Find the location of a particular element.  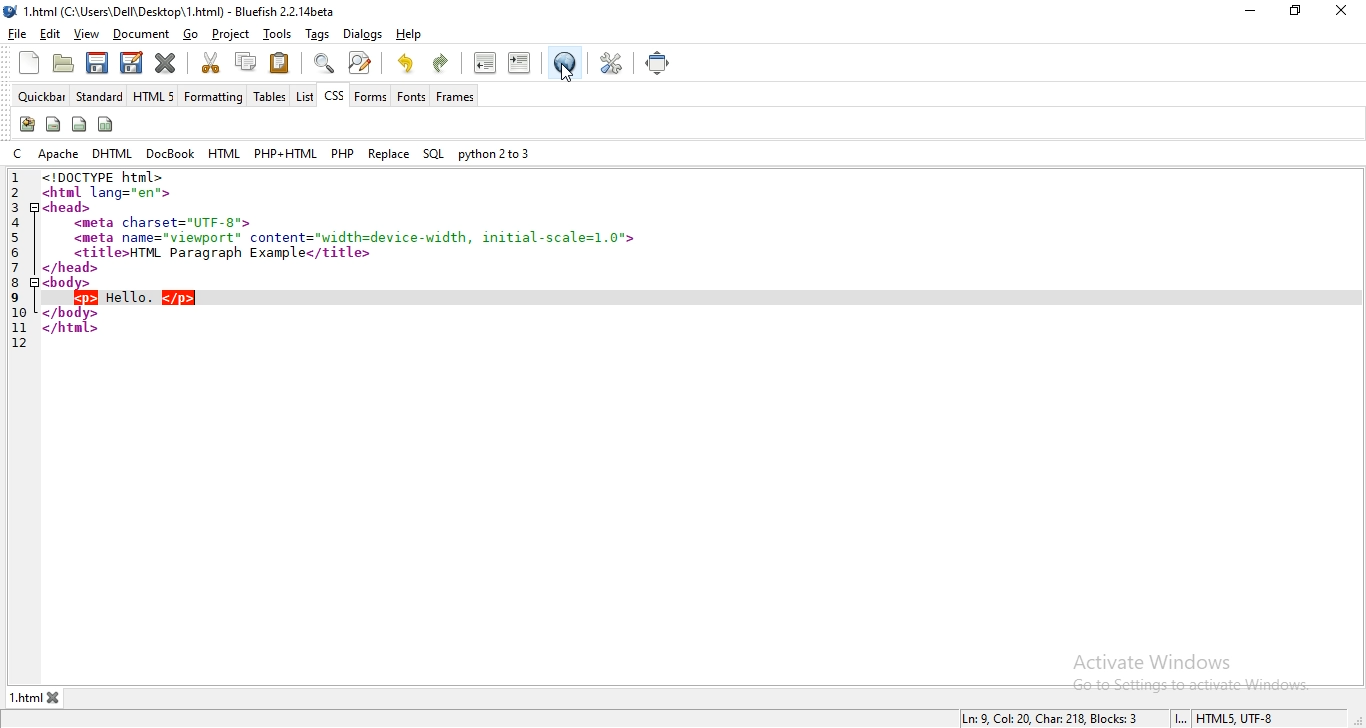

full screen is located at coordinates (659, 61).